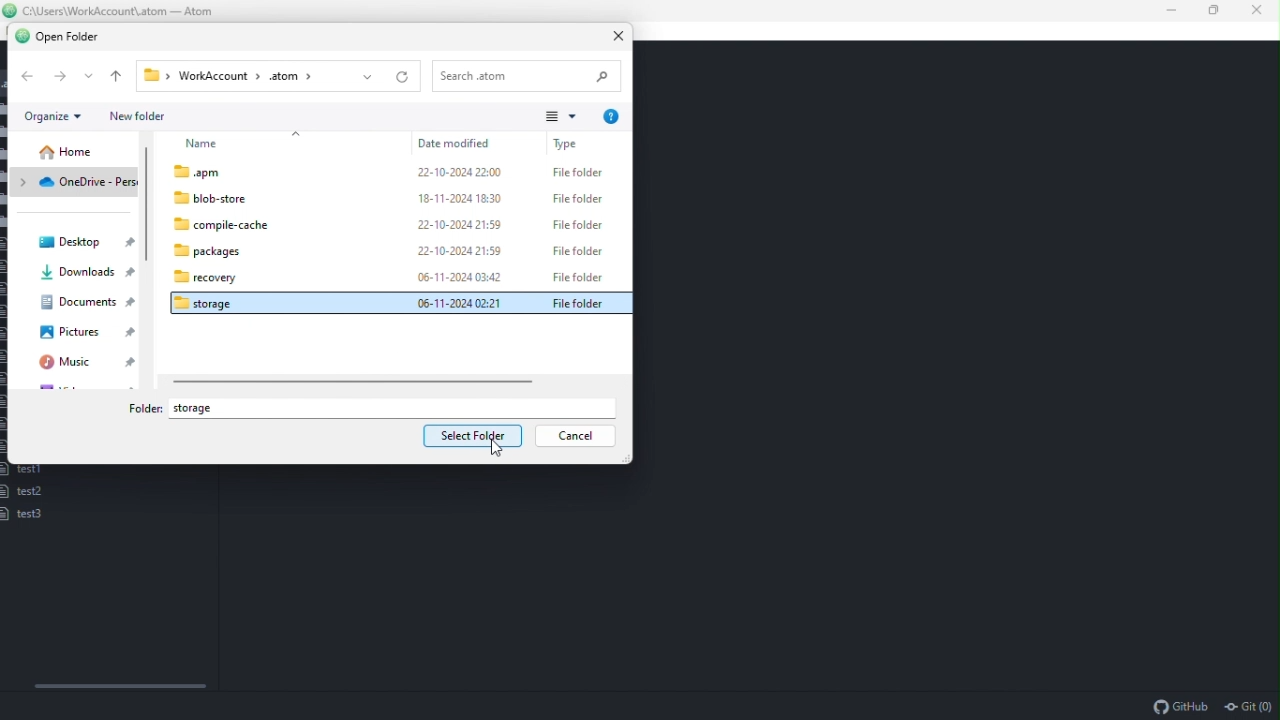  What do you see at coordinates (59, 38) in the screenshot?
I see `Open folder` at bounding box center [59, 38].